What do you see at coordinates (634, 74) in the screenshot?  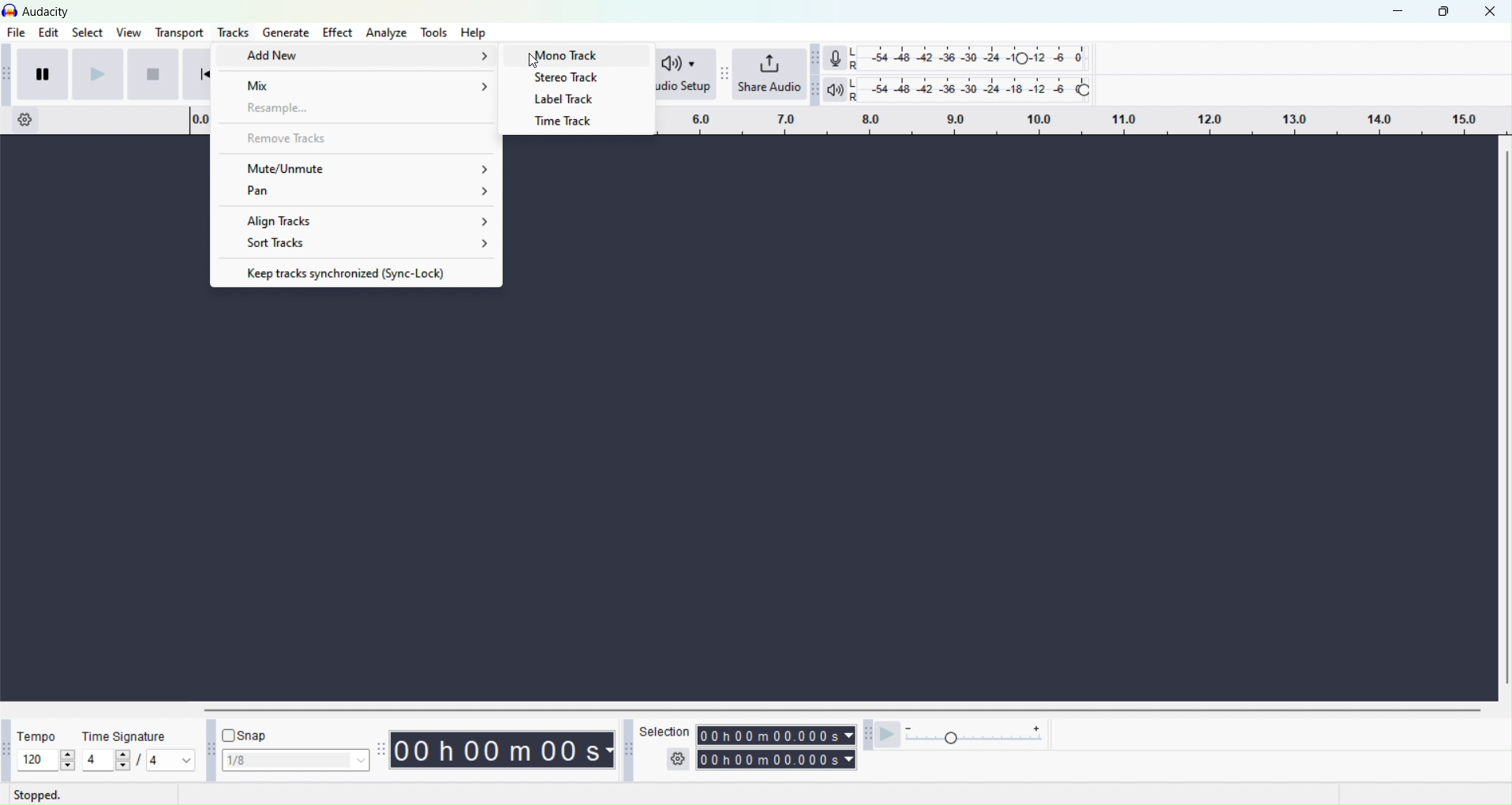 I see `Audacity audio setup toolbar` at bounding box center [634, 74].